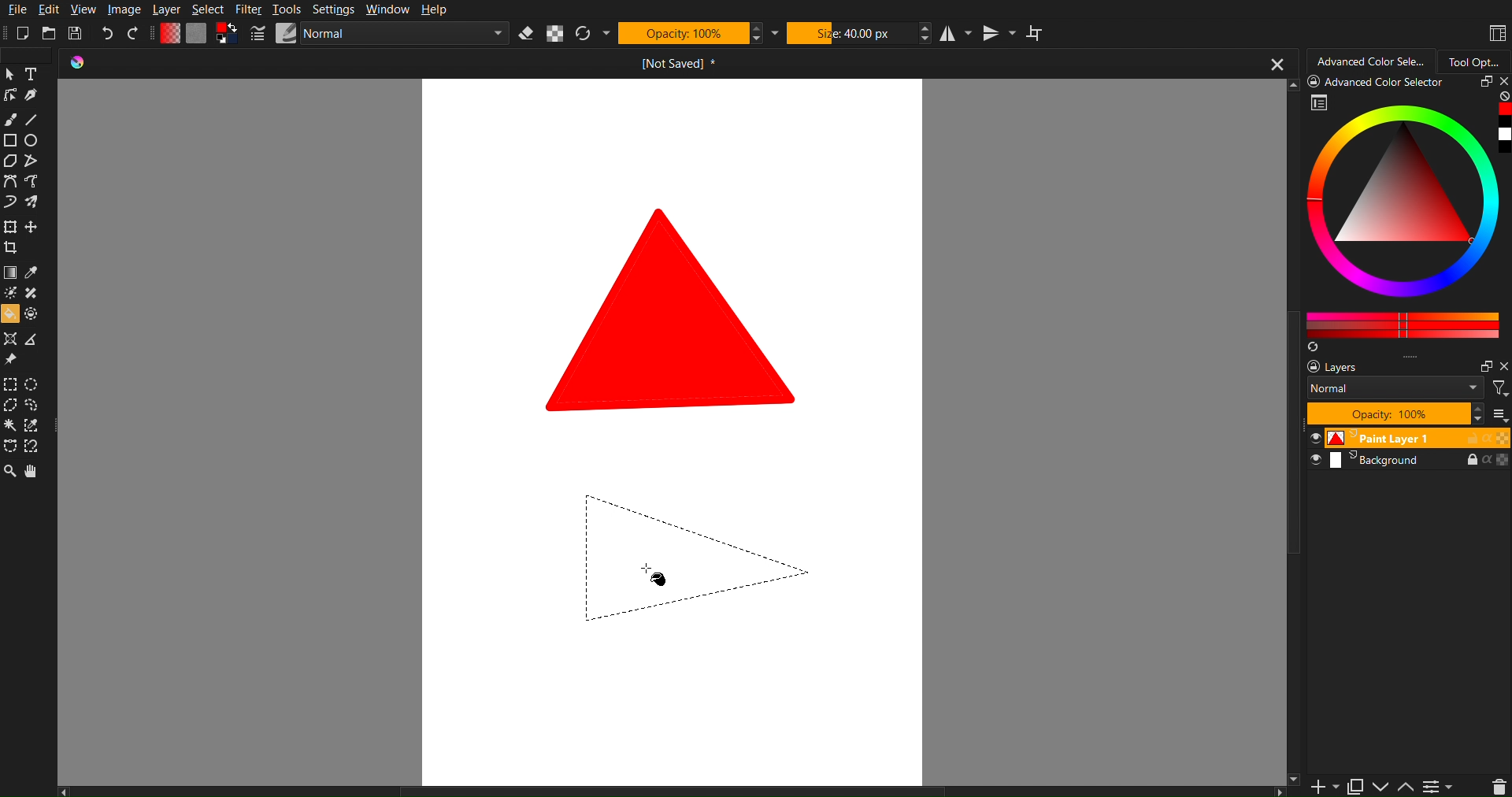 This screenshot has width=1512, height=797. What do you see at coordinates (87, 11) in the screenshot?
I see `View` at bounding box center [87, 11].